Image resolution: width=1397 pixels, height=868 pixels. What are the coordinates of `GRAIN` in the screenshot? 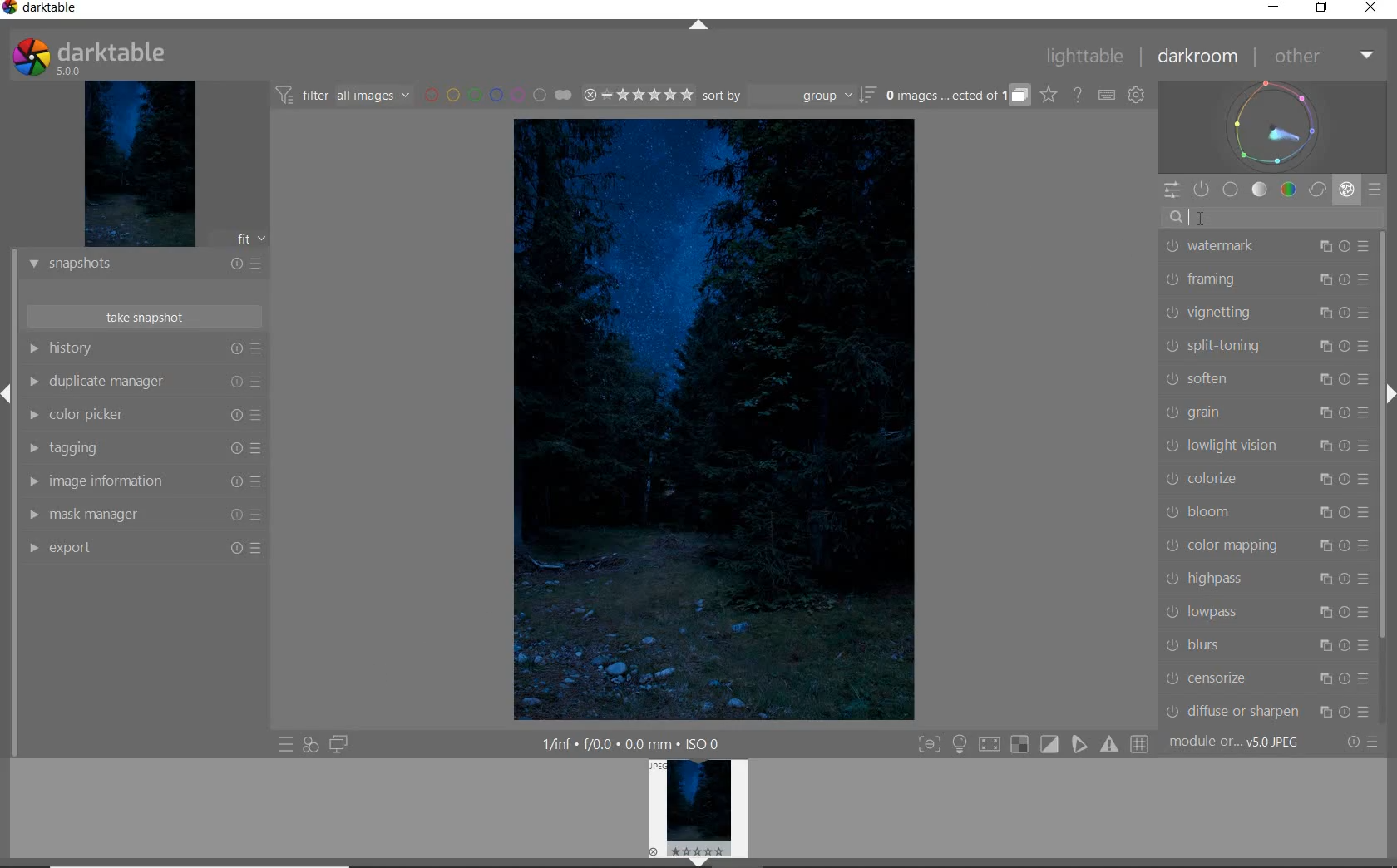 It's located at (1264, 413).